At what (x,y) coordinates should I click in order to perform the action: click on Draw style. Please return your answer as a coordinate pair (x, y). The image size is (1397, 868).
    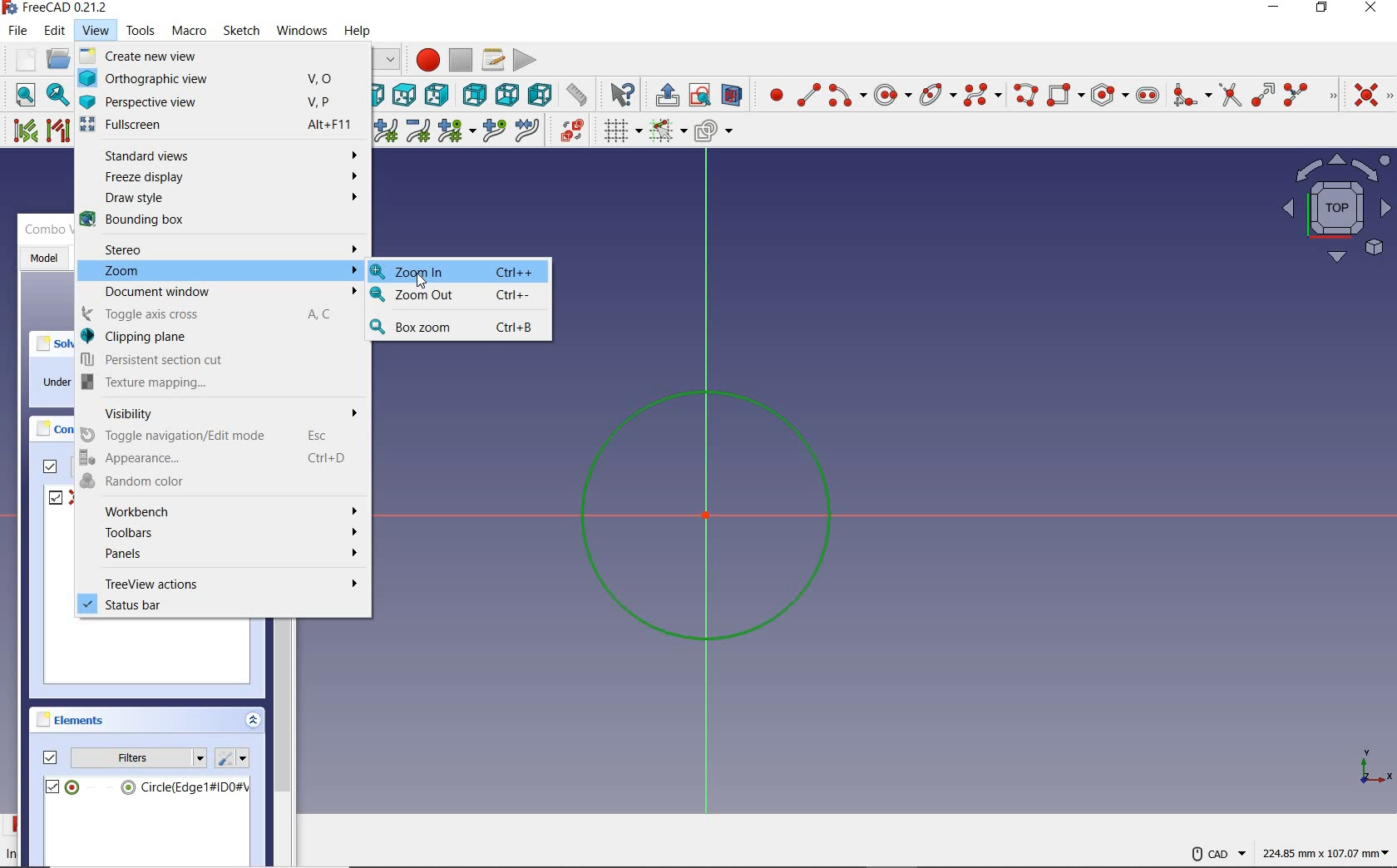
    Looking at the image, I should click on (232, 198).